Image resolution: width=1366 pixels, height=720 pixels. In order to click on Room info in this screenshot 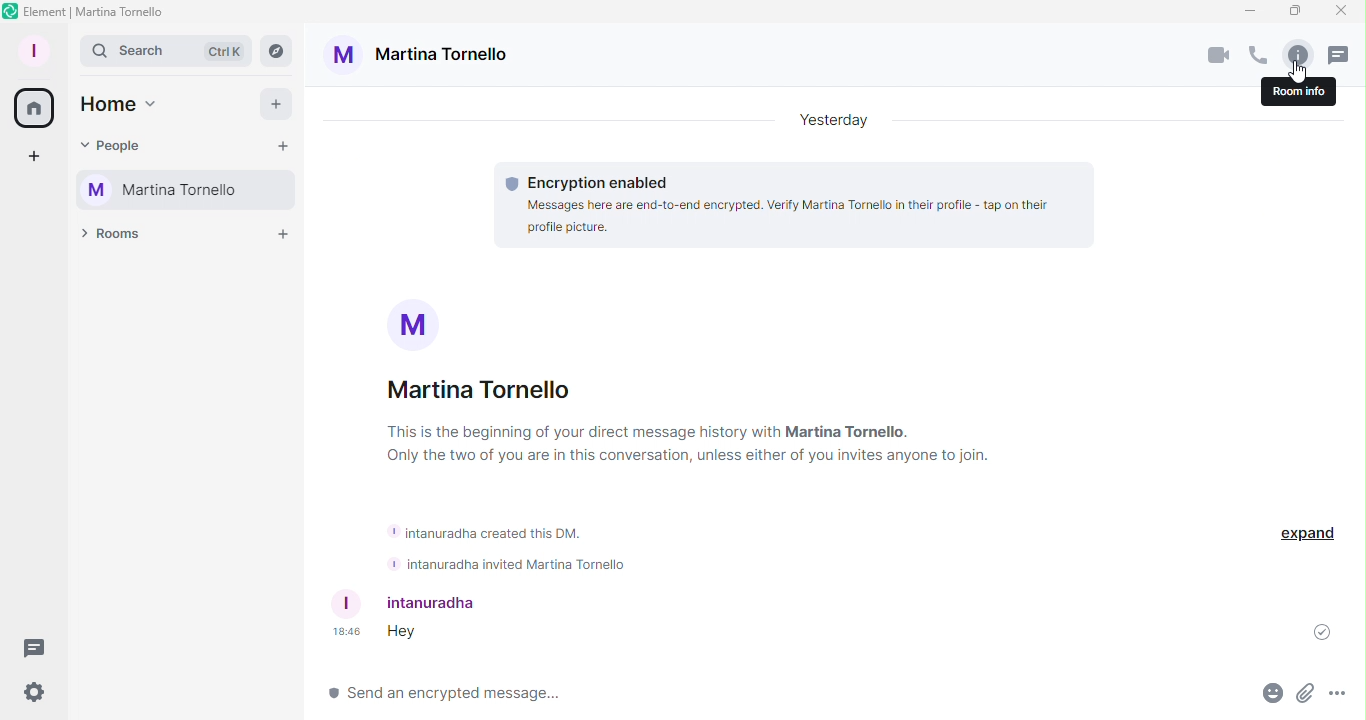, I will do `click(1296, 53)`.